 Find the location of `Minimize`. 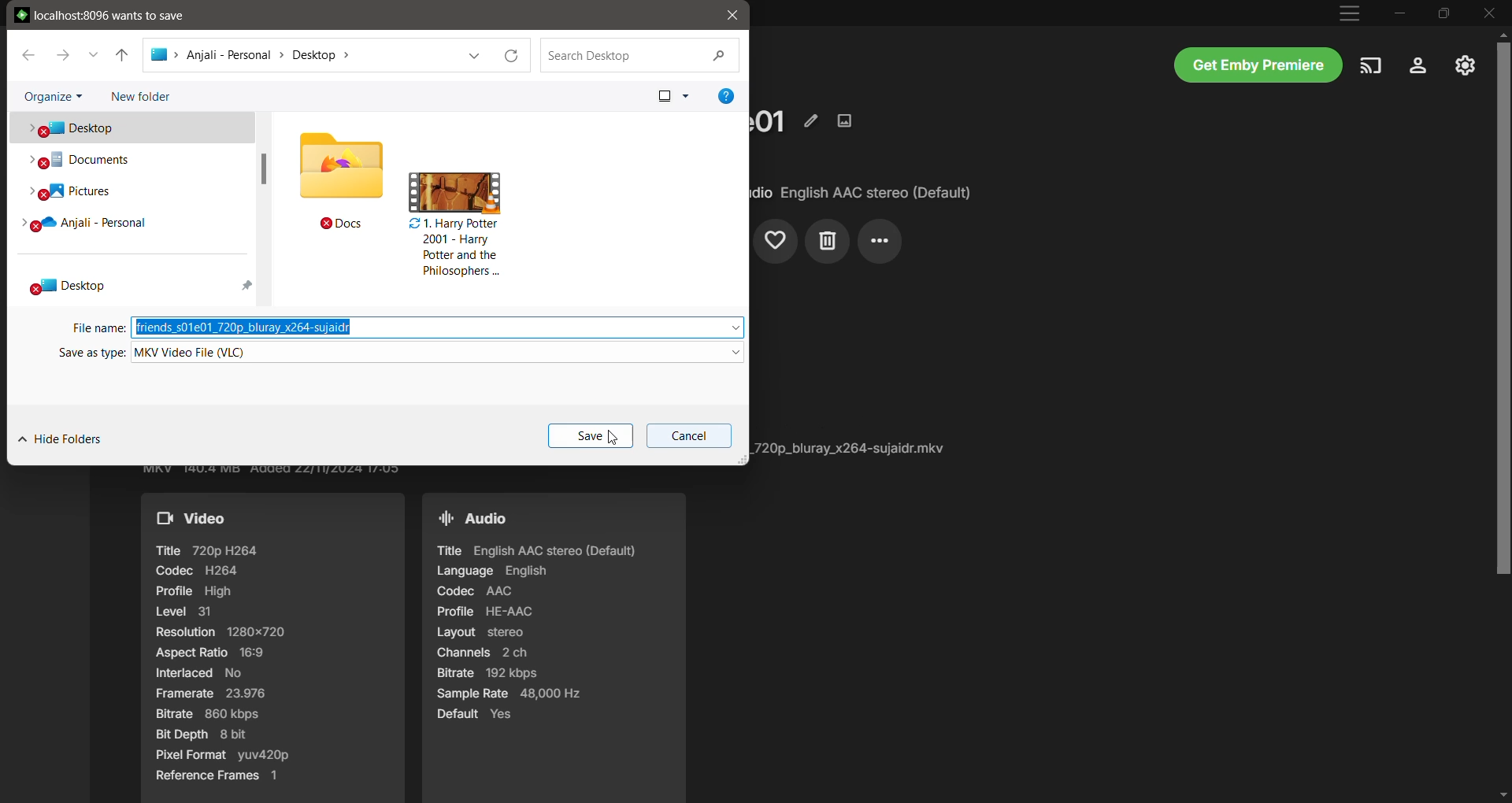

Minimize is located at coordinates (1400, 13).